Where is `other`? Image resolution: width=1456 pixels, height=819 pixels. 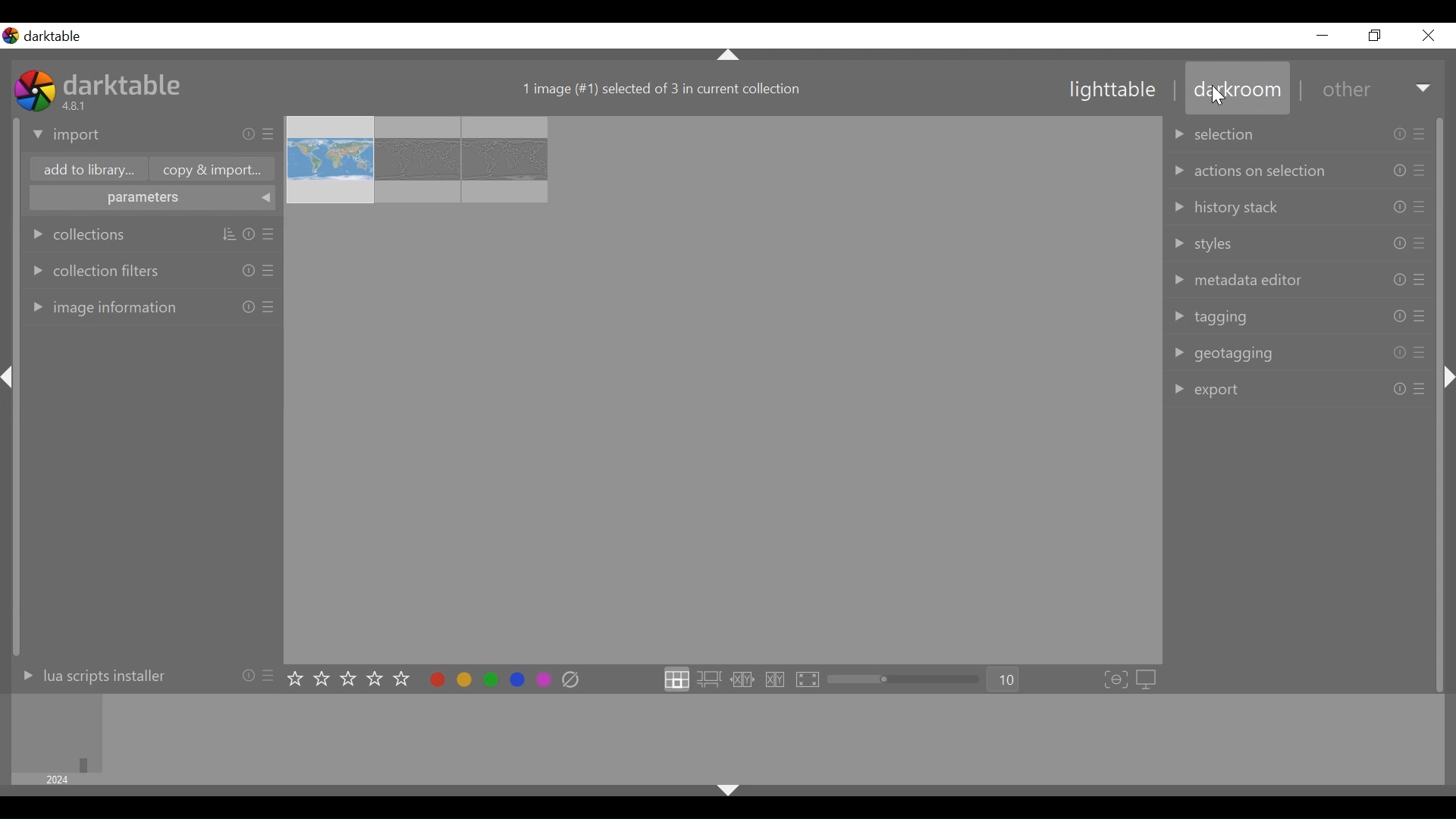
other is located at coordinates (1373, 89).